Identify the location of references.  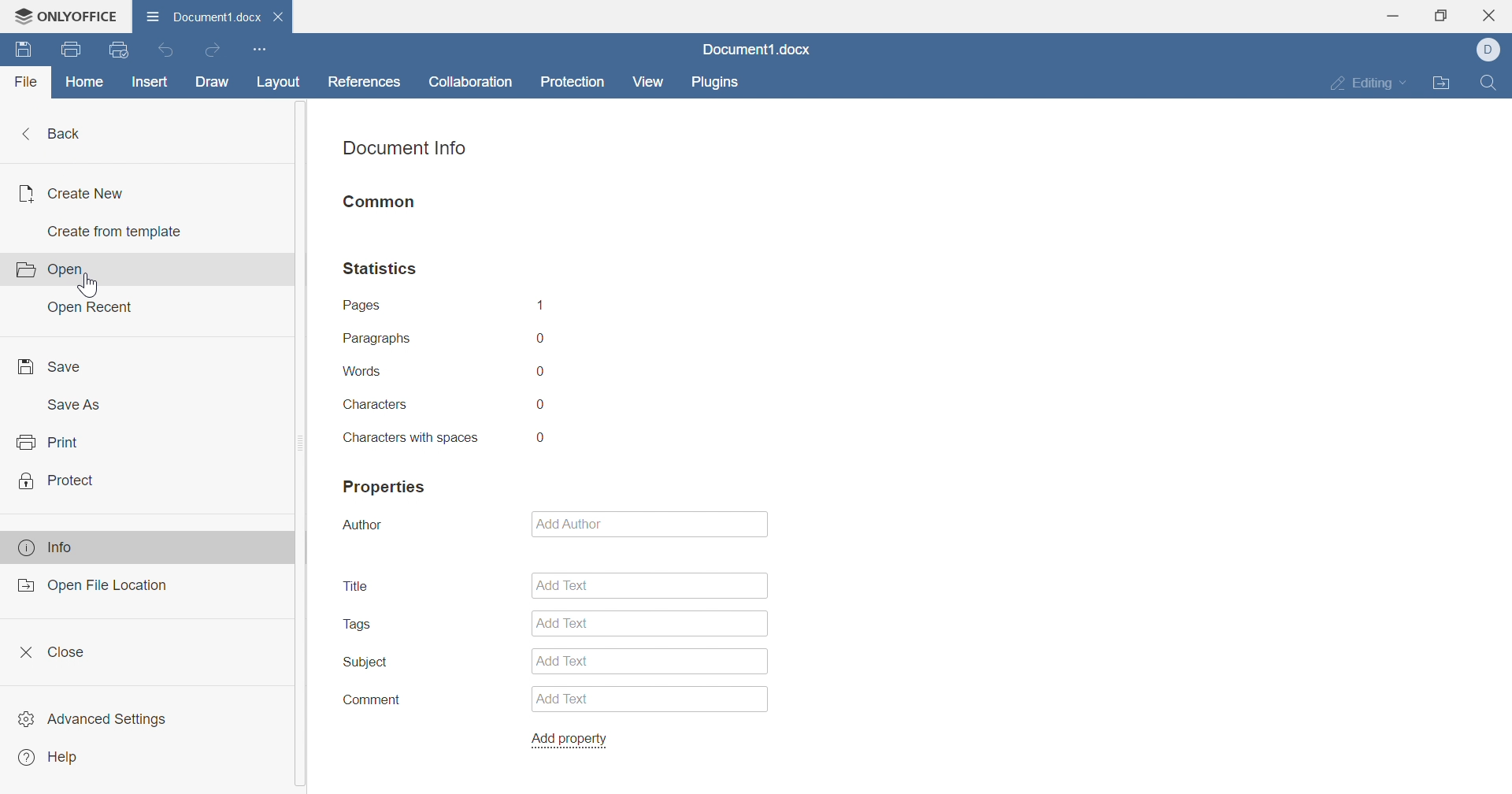
(362, 81).